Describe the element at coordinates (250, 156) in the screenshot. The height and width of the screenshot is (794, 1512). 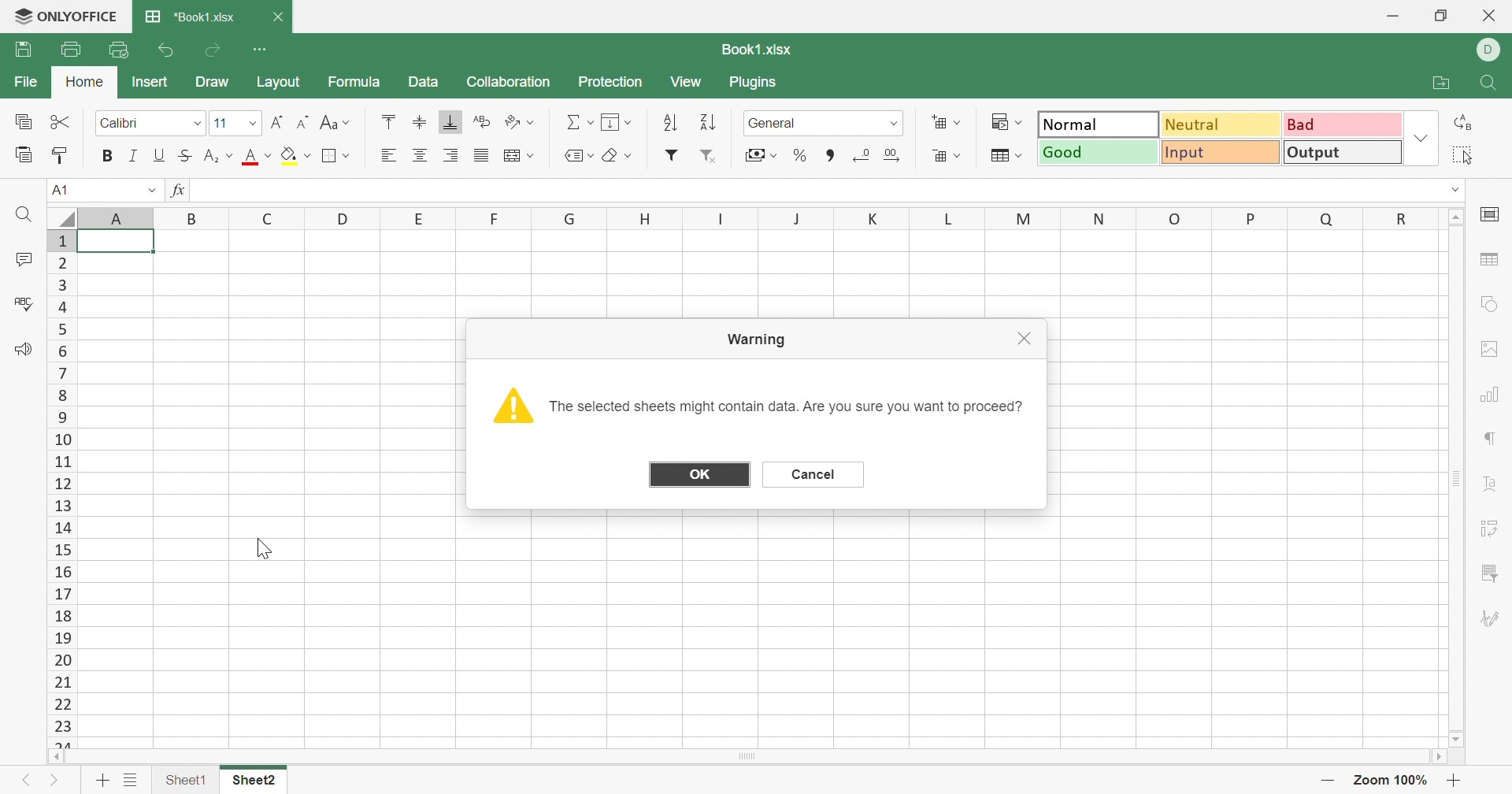
I see `font color` at that location.